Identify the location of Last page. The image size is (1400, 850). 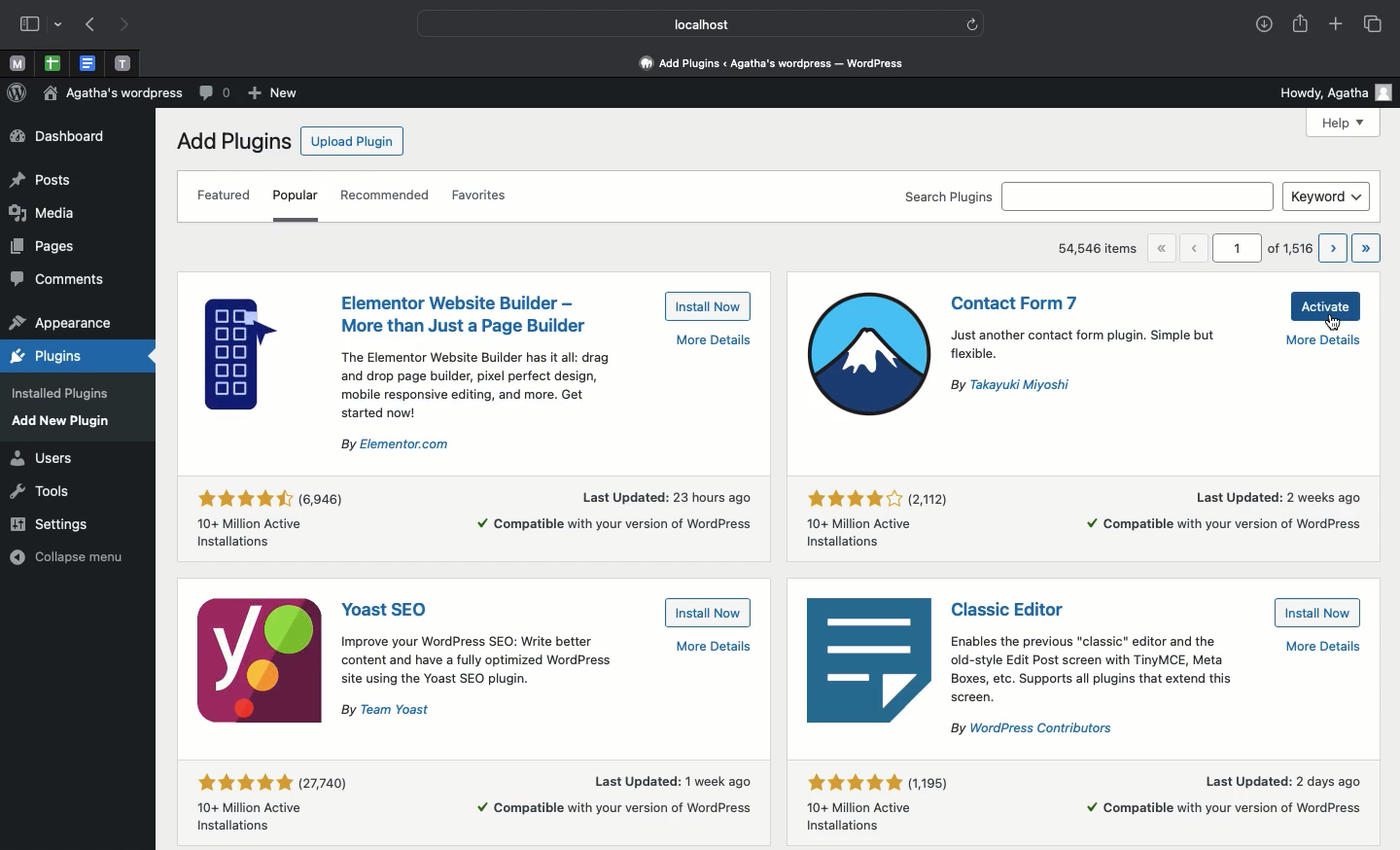
(1367, 249).